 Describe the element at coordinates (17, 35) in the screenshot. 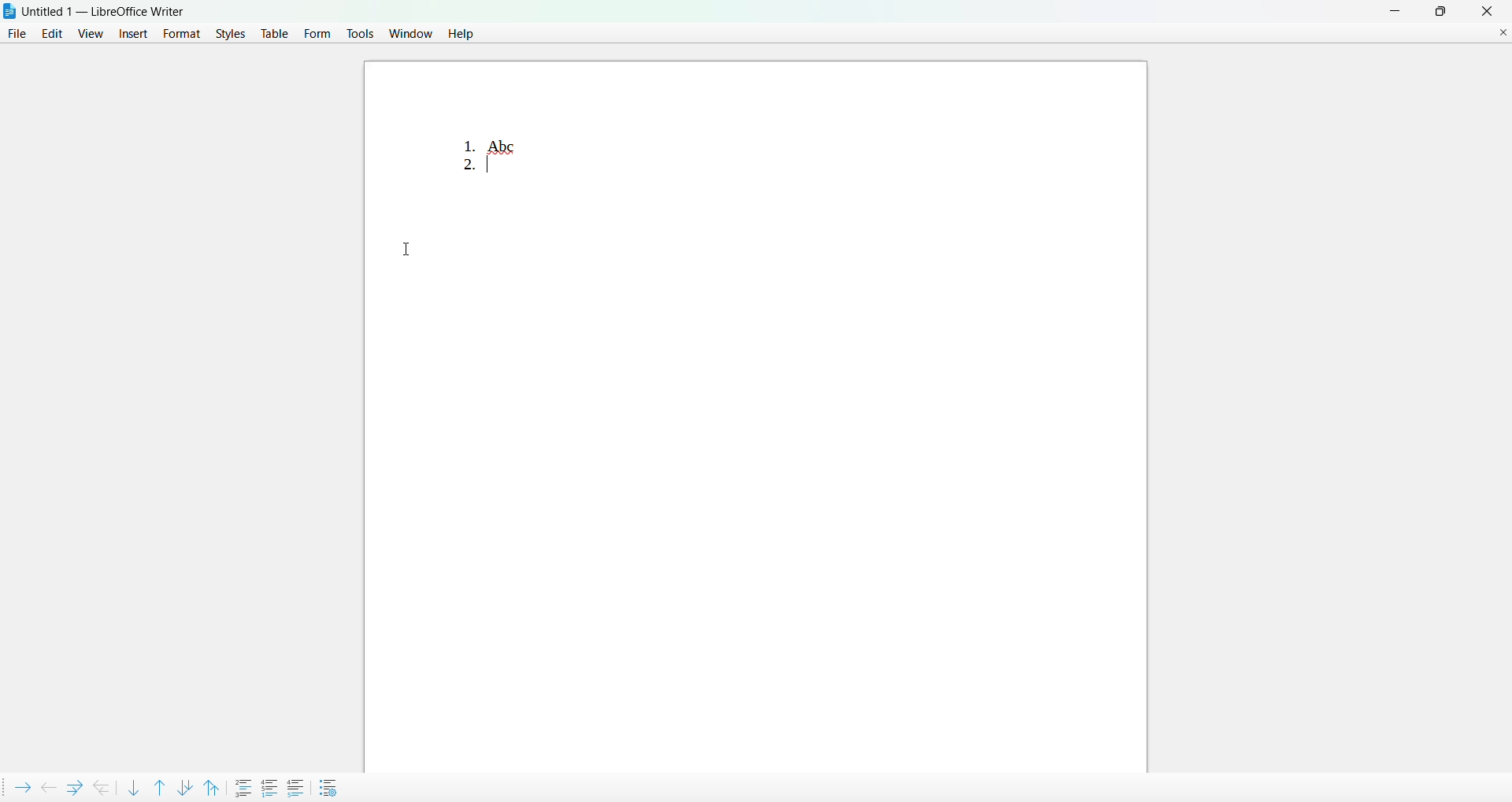

I see `file` at that location.